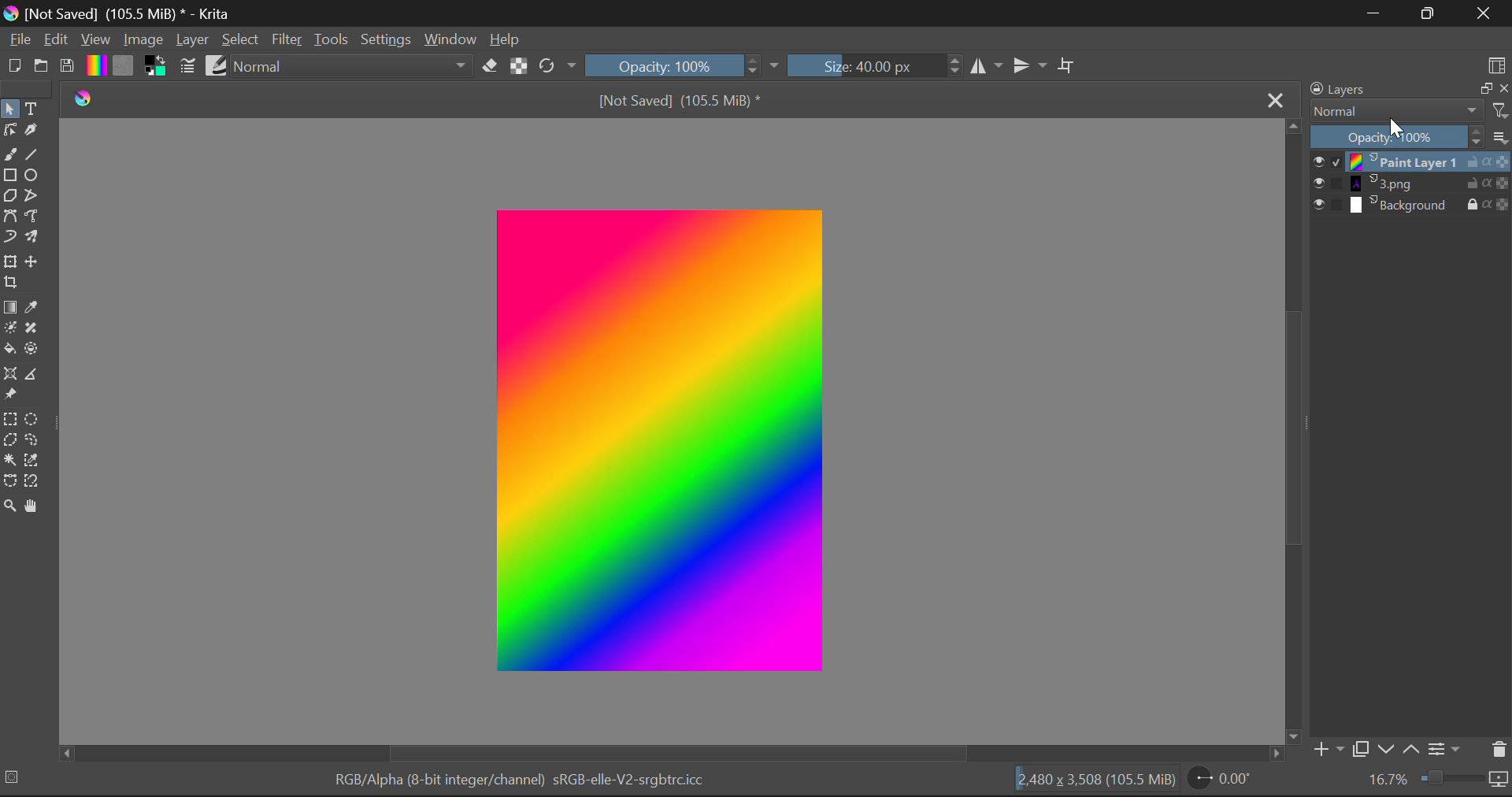  Describe the element at coordinates (453, 39) in the screenshot. I see `Window` at that location.